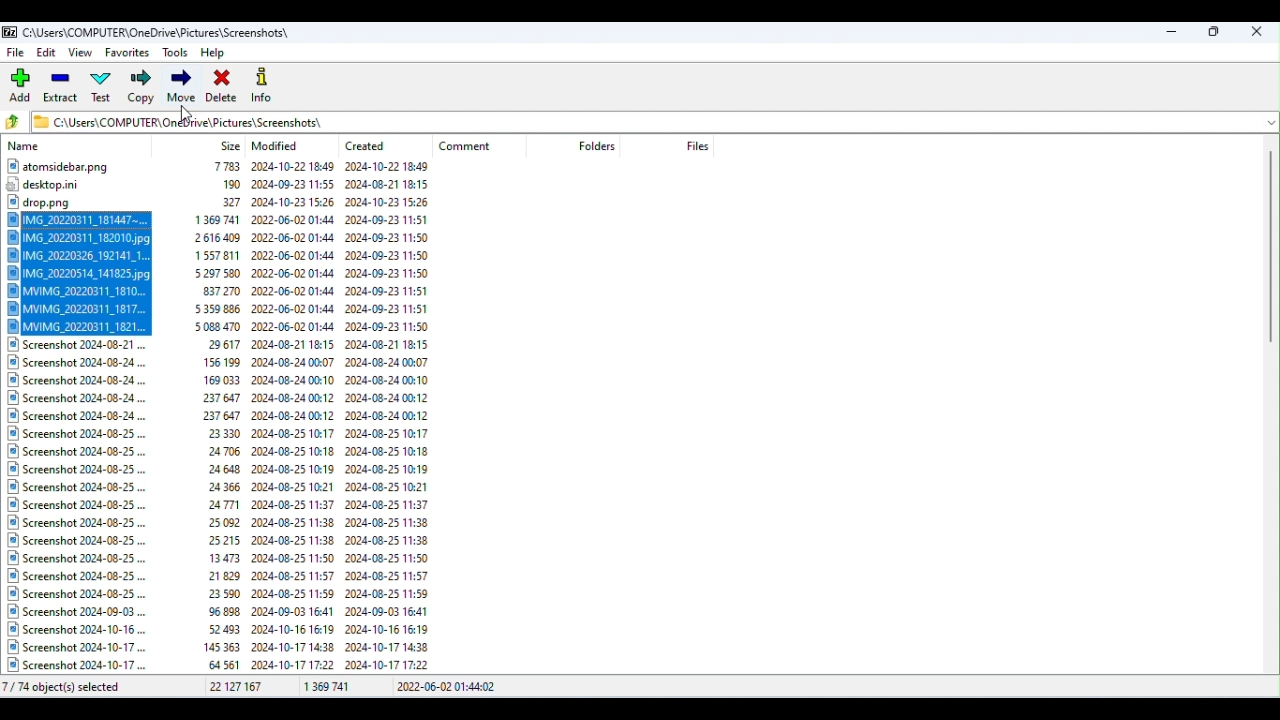 This screenshot has height=720, width=1280. I want to click on Files, so click(231, 508).